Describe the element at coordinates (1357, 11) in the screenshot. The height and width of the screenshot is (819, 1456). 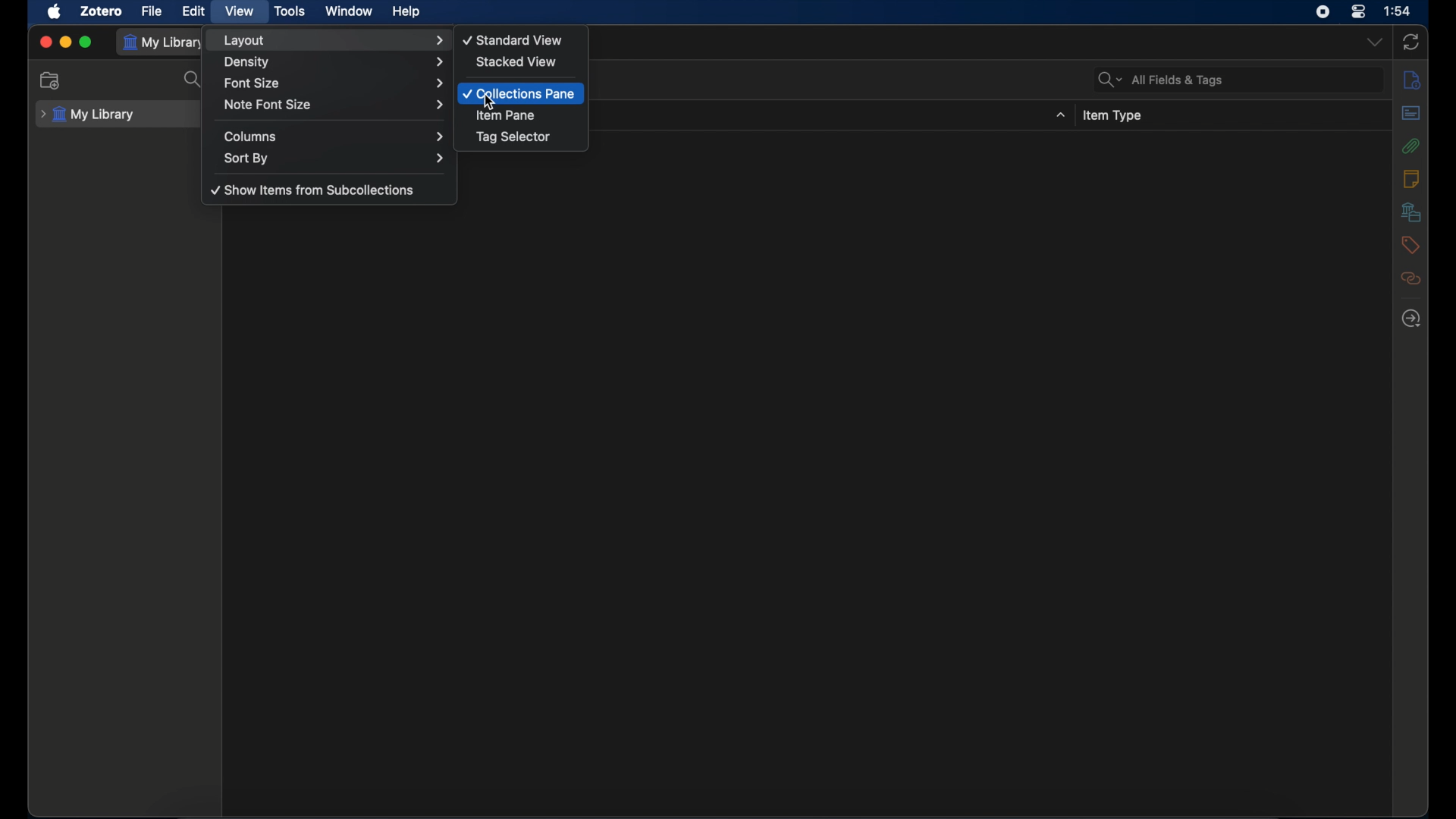
I see `control center` at that location.